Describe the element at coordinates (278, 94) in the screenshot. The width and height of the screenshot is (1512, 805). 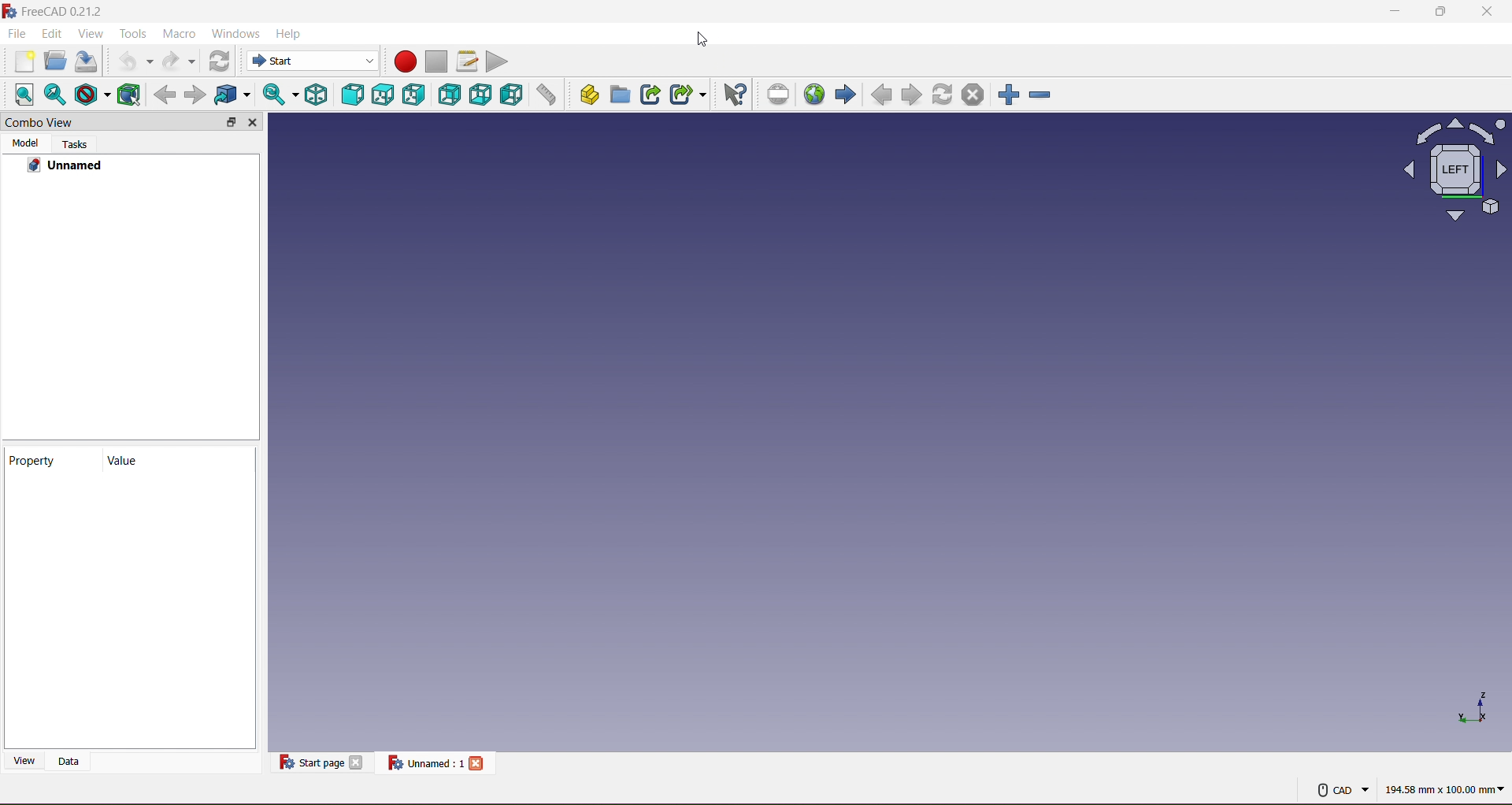
I see `Fit Selection` at that location.